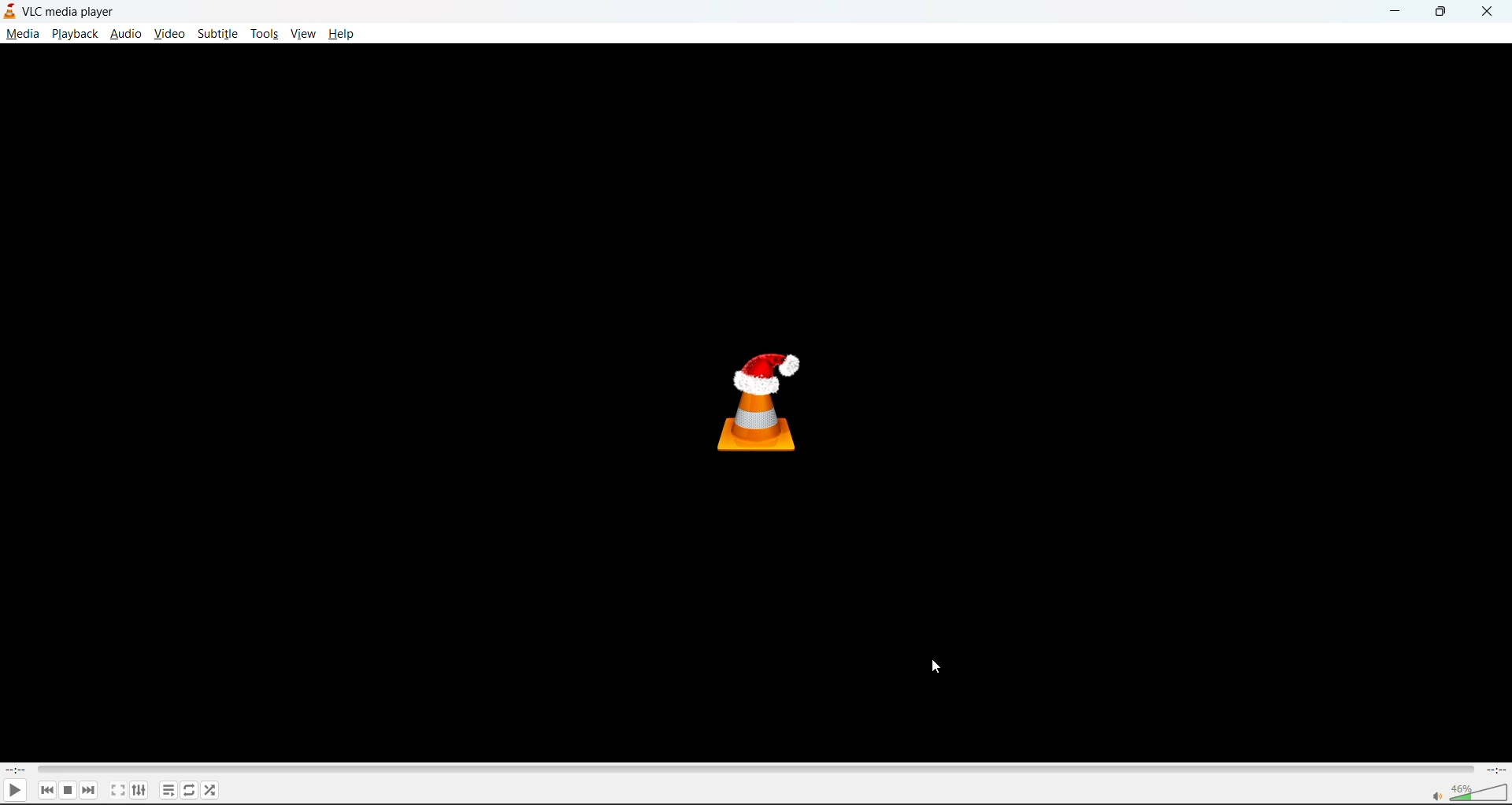  What do you see at coordinates (92, 789) in the screenshot?
I see `next` at bounding box center [92, 789].